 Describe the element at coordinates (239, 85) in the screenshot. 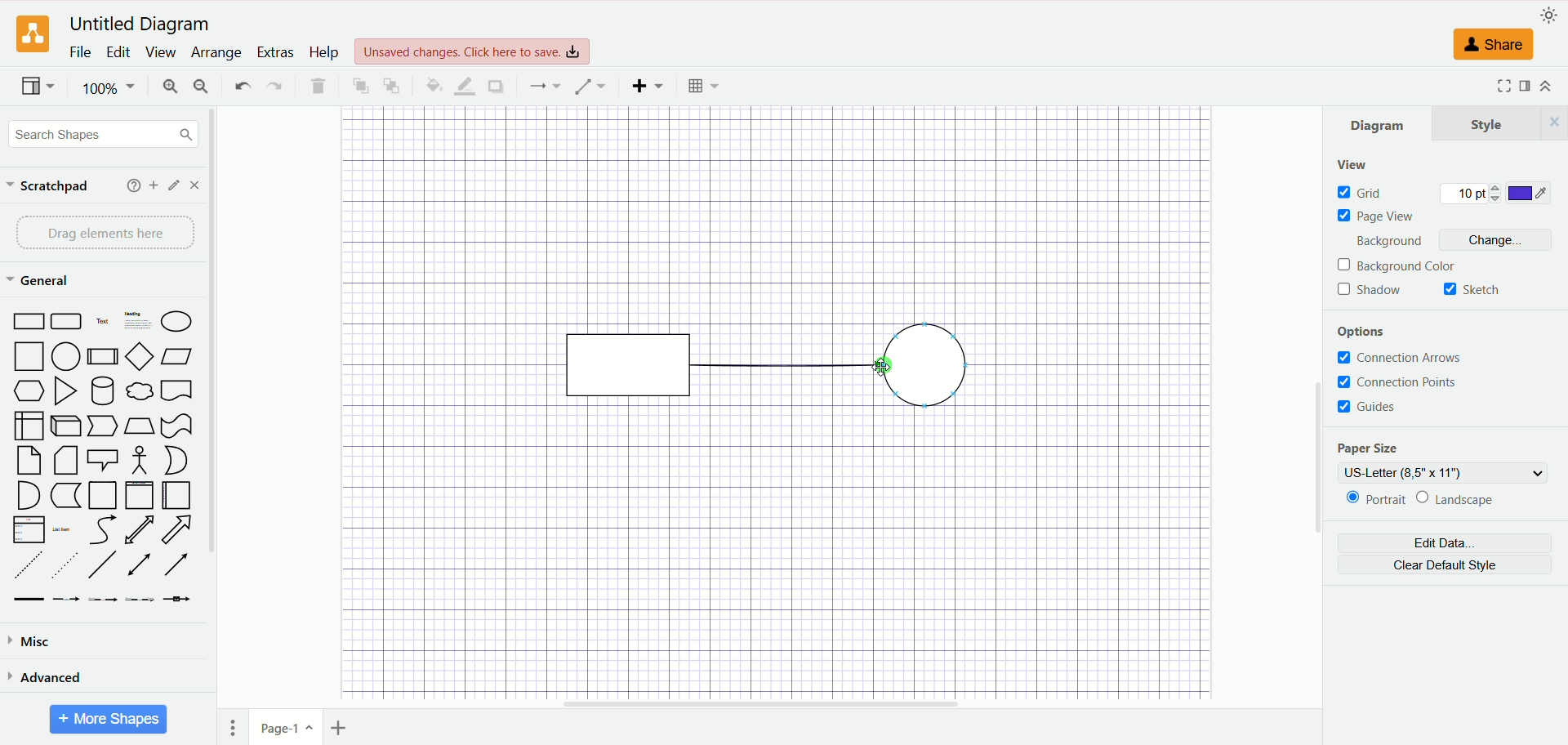

I see `undo` at that location.